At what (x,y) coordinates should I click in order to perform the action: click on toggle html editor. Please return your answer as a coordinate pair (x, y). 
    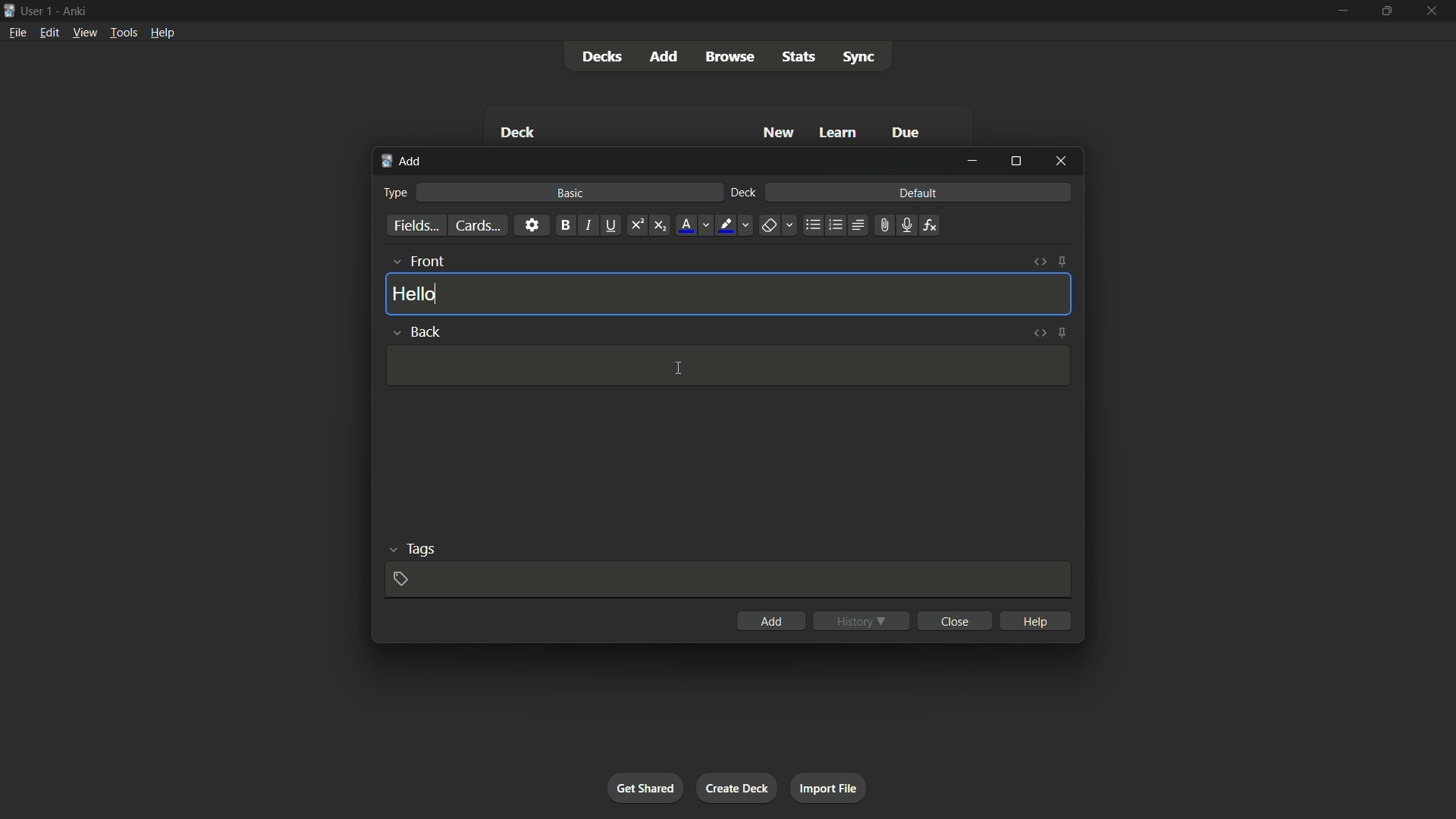
    Looking at the image, I should click on (1038, 333).